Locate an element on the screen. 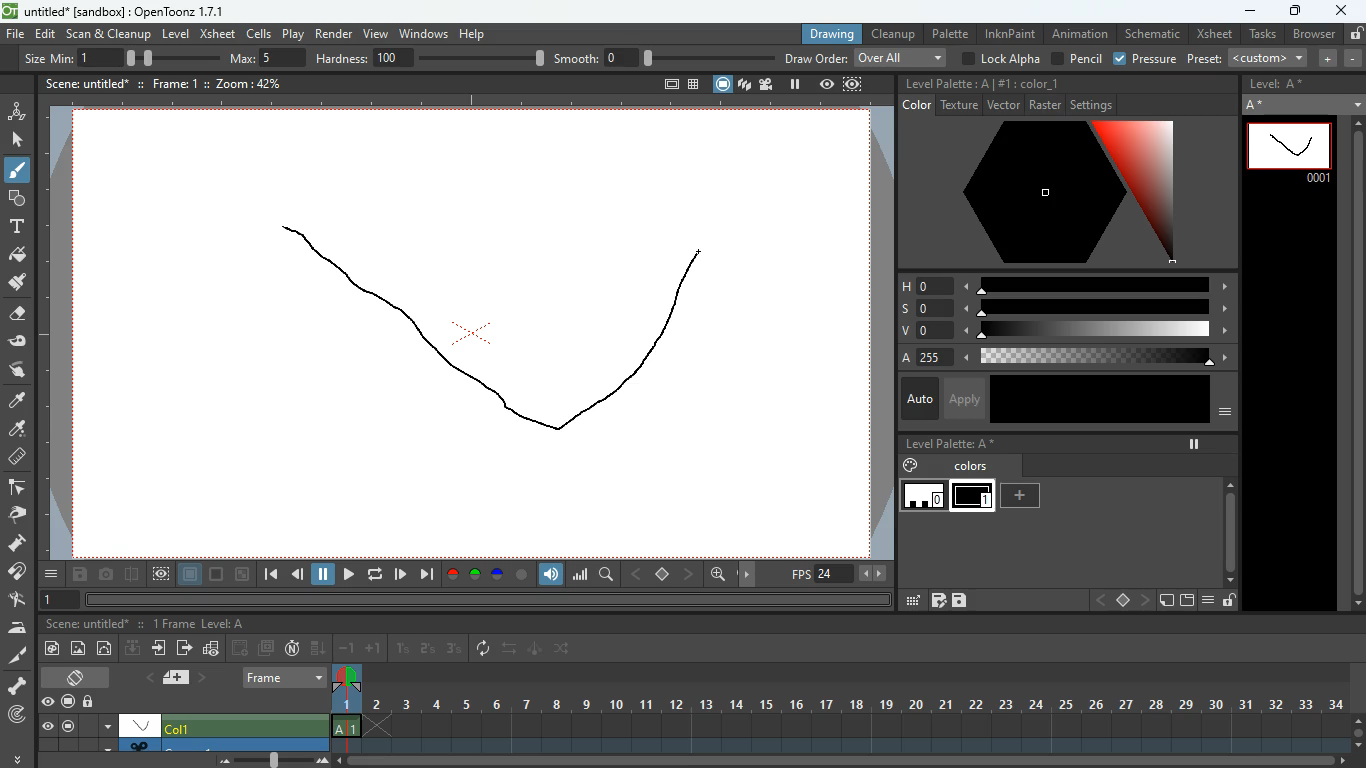 This screenshot has width=1366, height=768. selected frame is located at coordinates (347, 700).